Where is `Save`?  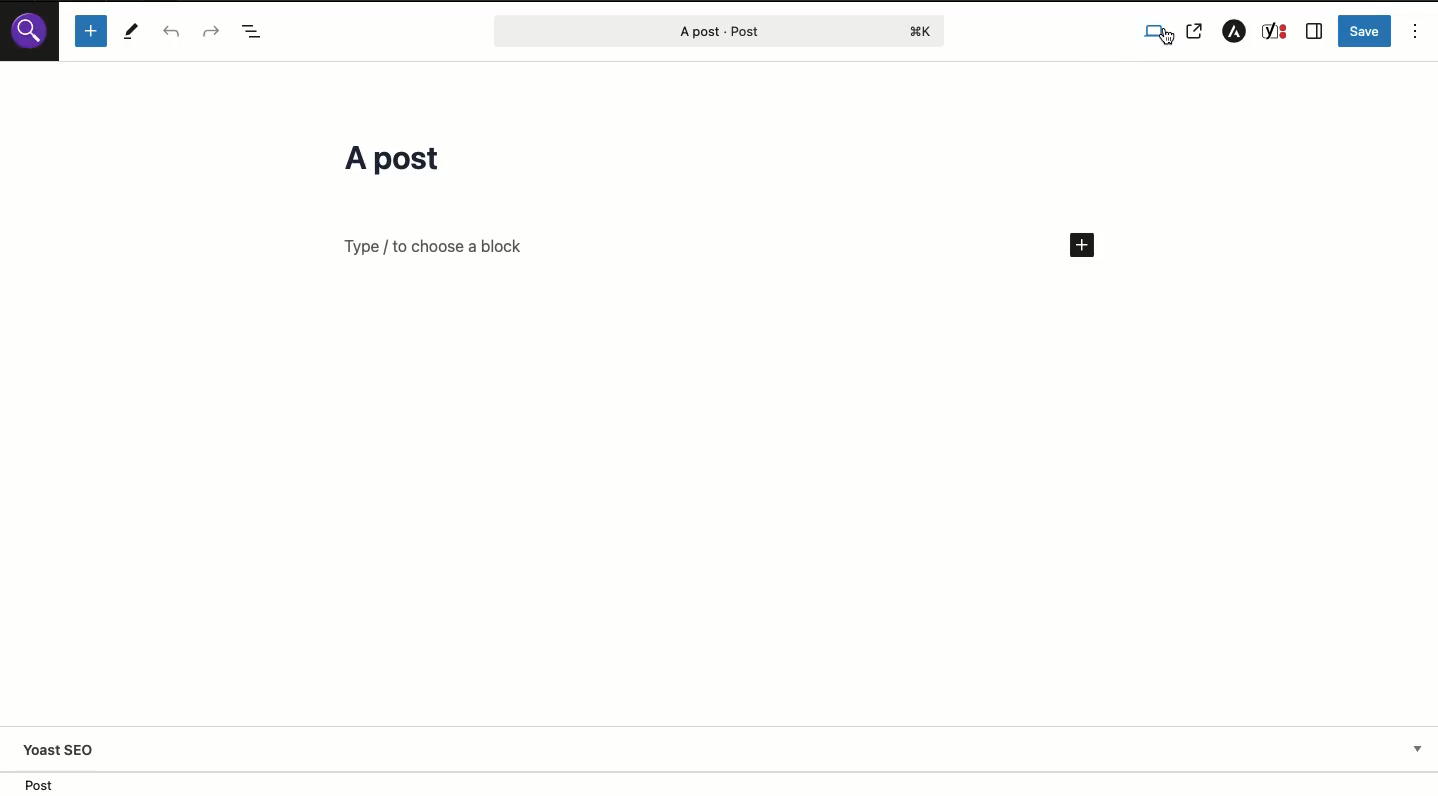 Save is located at coordinates (1365, 29).